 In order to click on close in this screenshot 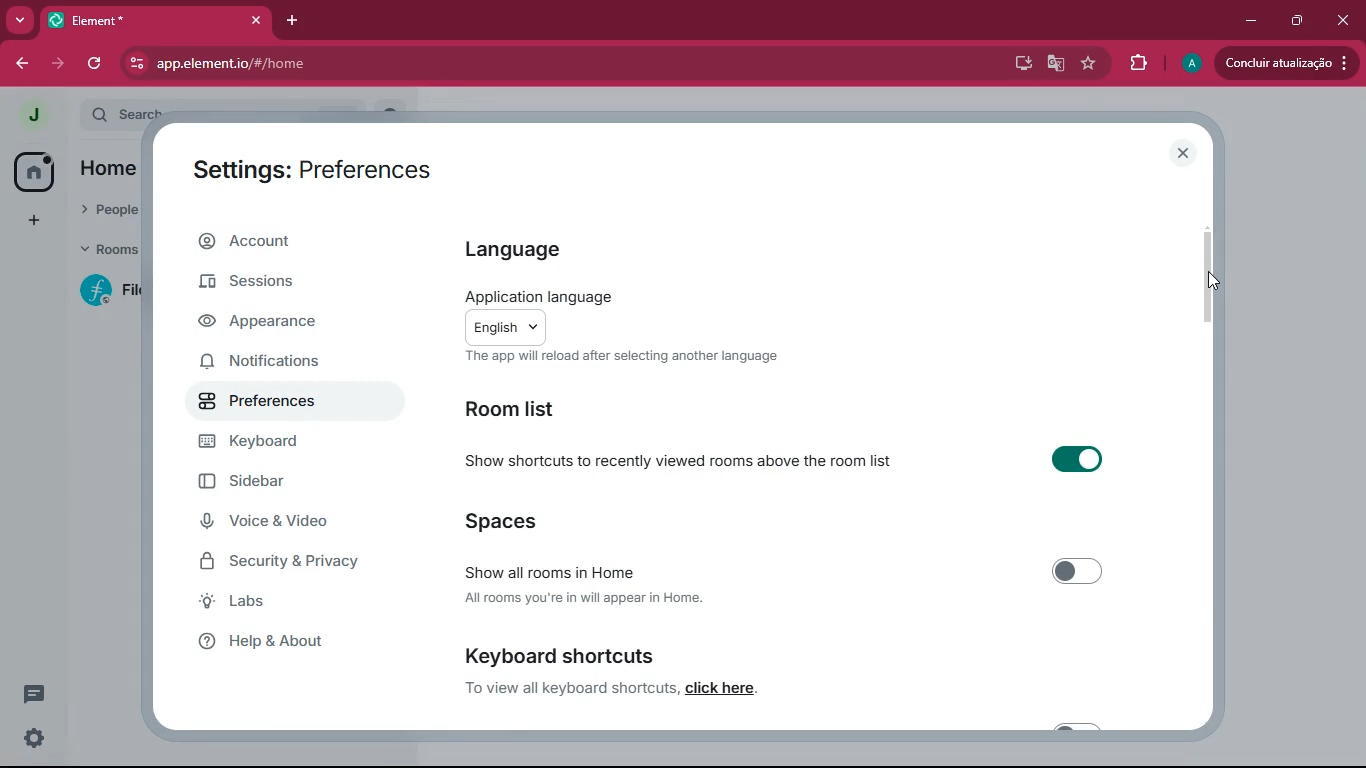, I will do `click(1185, 153)`.